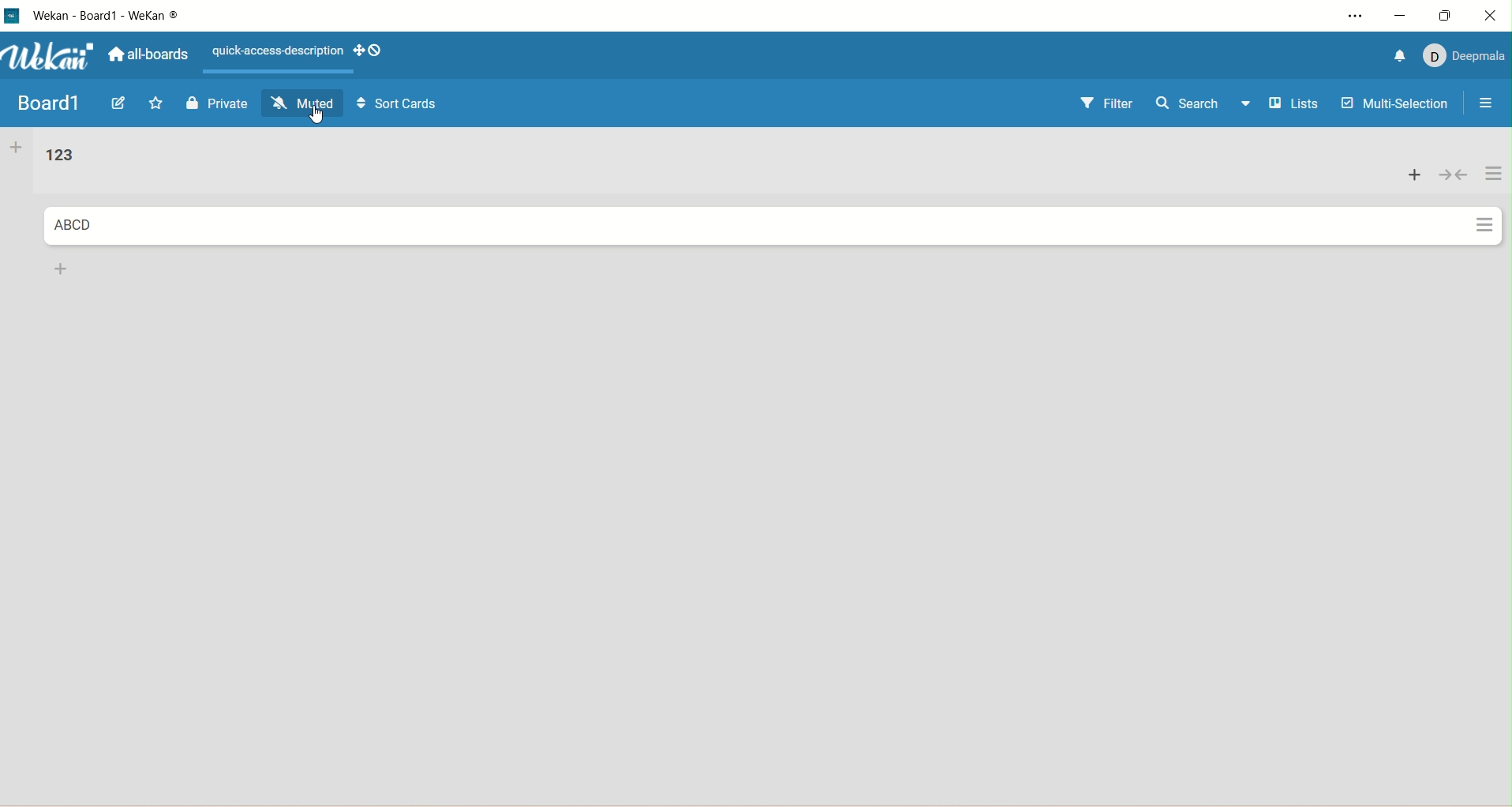  What do you see at coordinates (399, 107) in the screenshot?
I see `sort cards` at bounding box center [399, 107].